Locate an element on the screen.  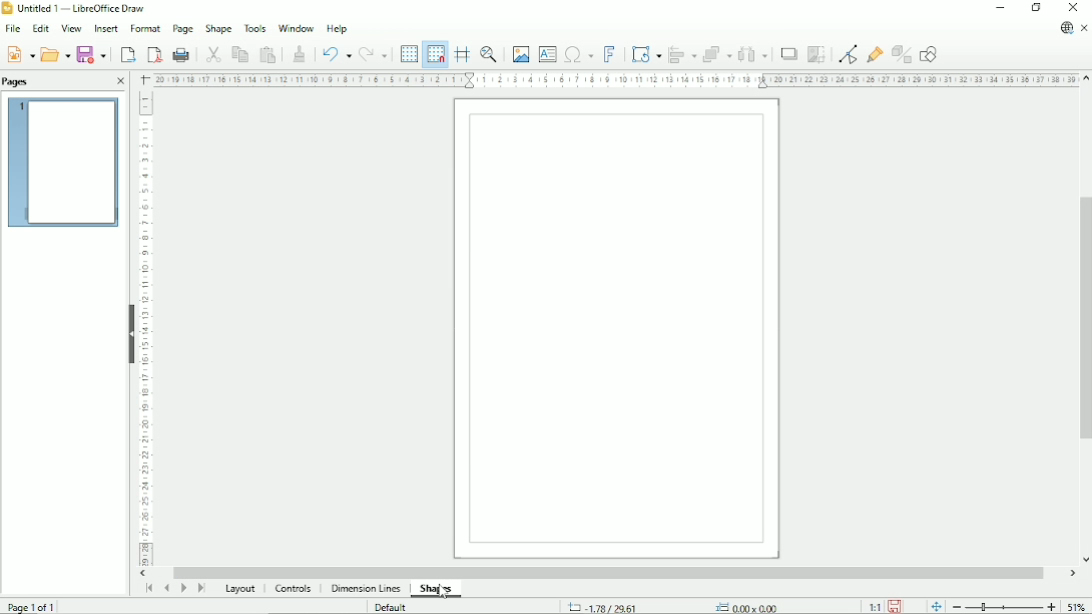
Insert is located at coordinates (107, 28).